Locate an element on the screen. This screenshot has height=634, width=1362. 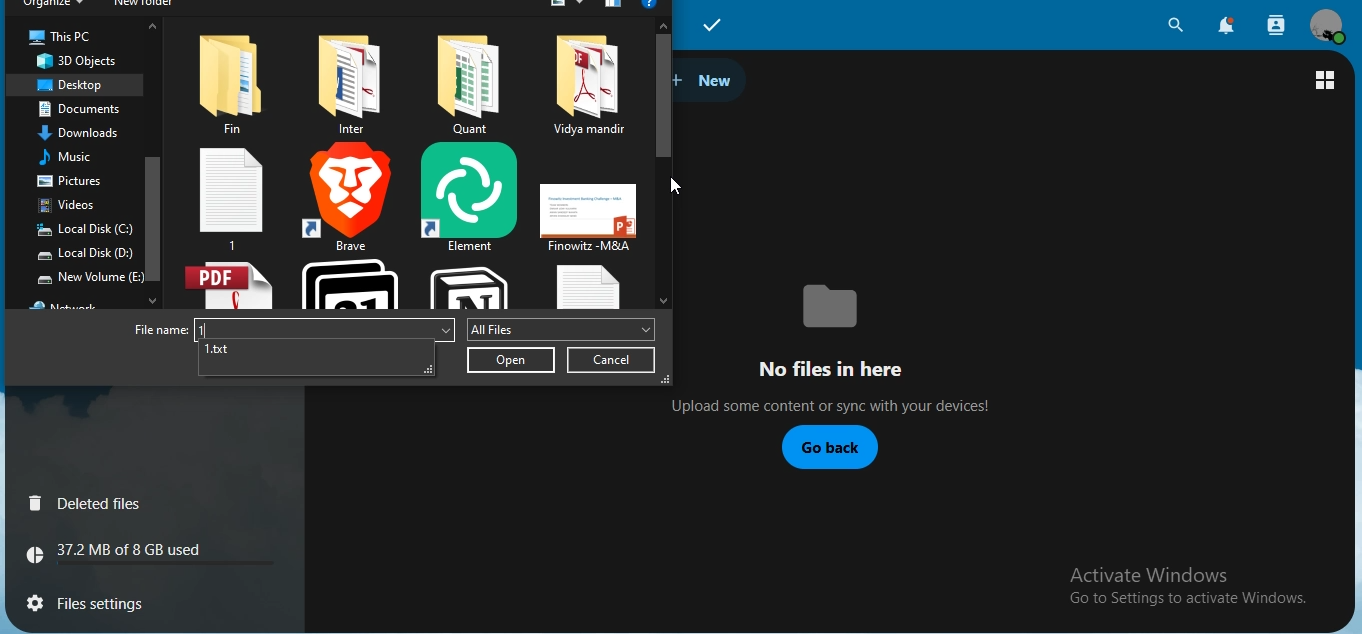
scroll bar is located at coordinates (154, 213).